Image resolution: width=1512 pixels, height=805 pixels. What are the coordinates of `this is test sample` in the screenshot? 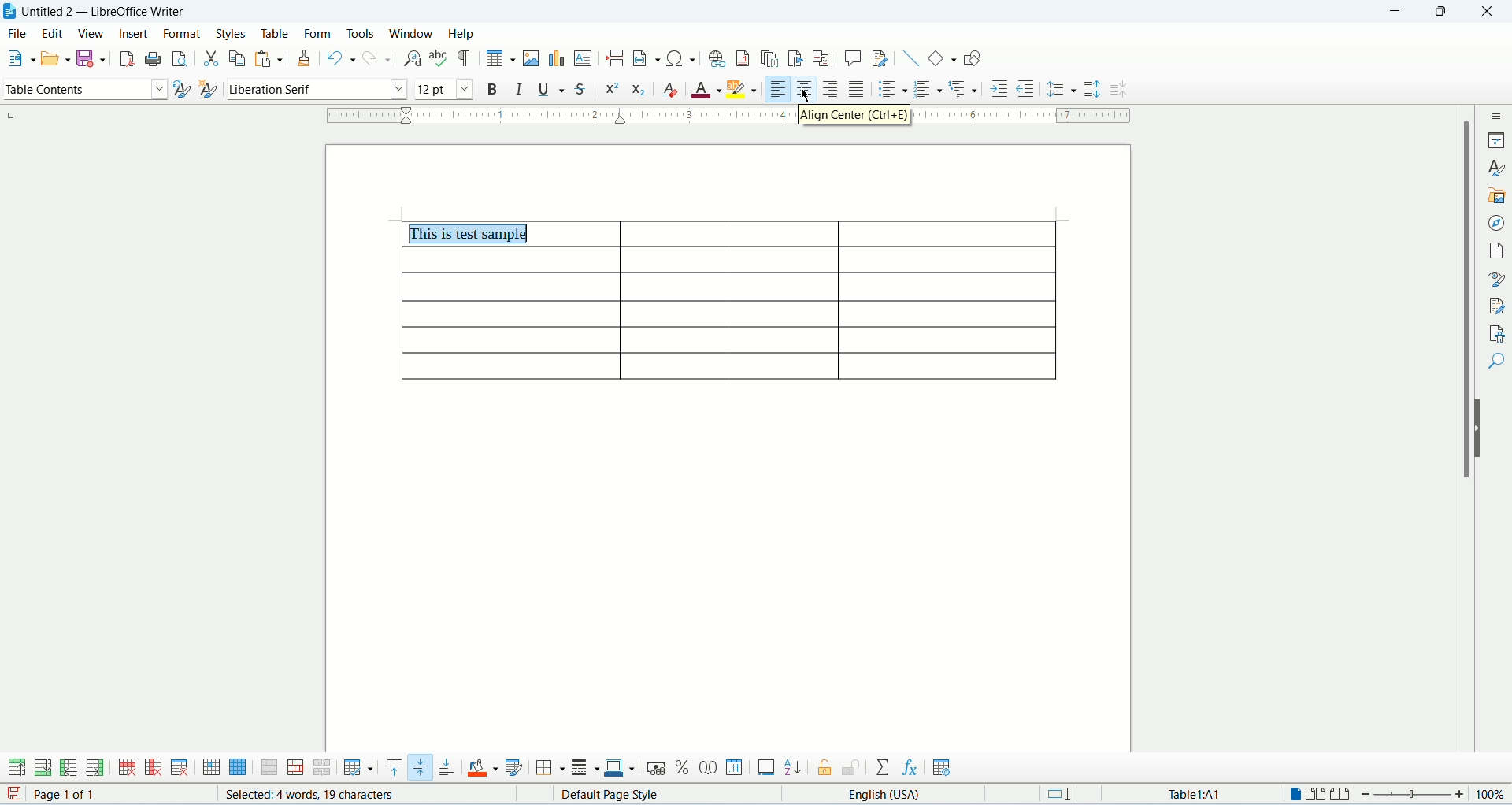 It's located at (472, 234).